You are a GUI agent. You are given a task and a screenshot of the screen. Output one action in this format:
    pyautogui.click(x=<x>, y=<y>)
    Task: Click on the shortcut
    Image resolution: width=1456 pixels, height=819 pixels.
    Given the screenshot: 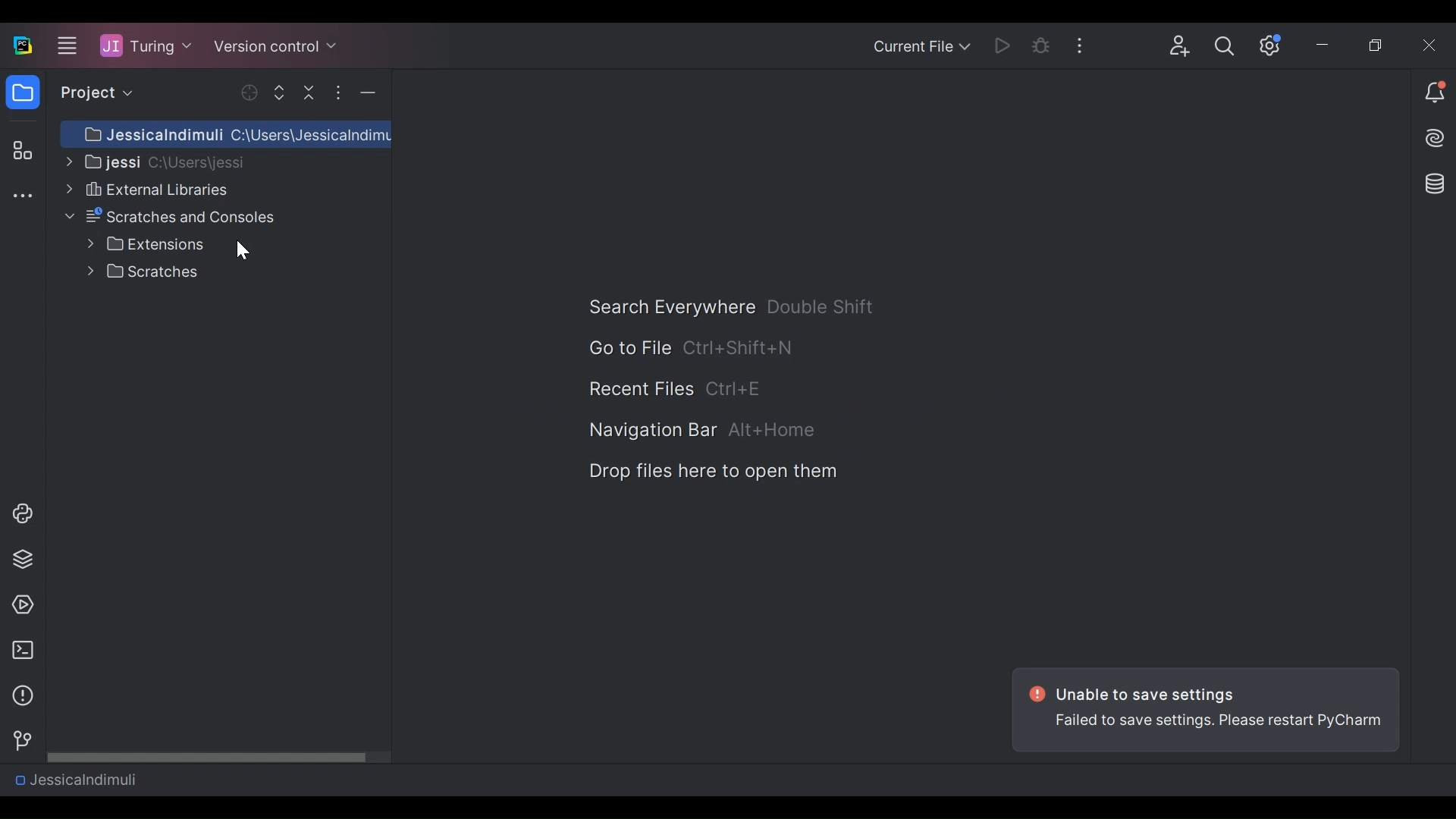 What is the action you would take?
    pyautogui.click(x=822, y=306)
    